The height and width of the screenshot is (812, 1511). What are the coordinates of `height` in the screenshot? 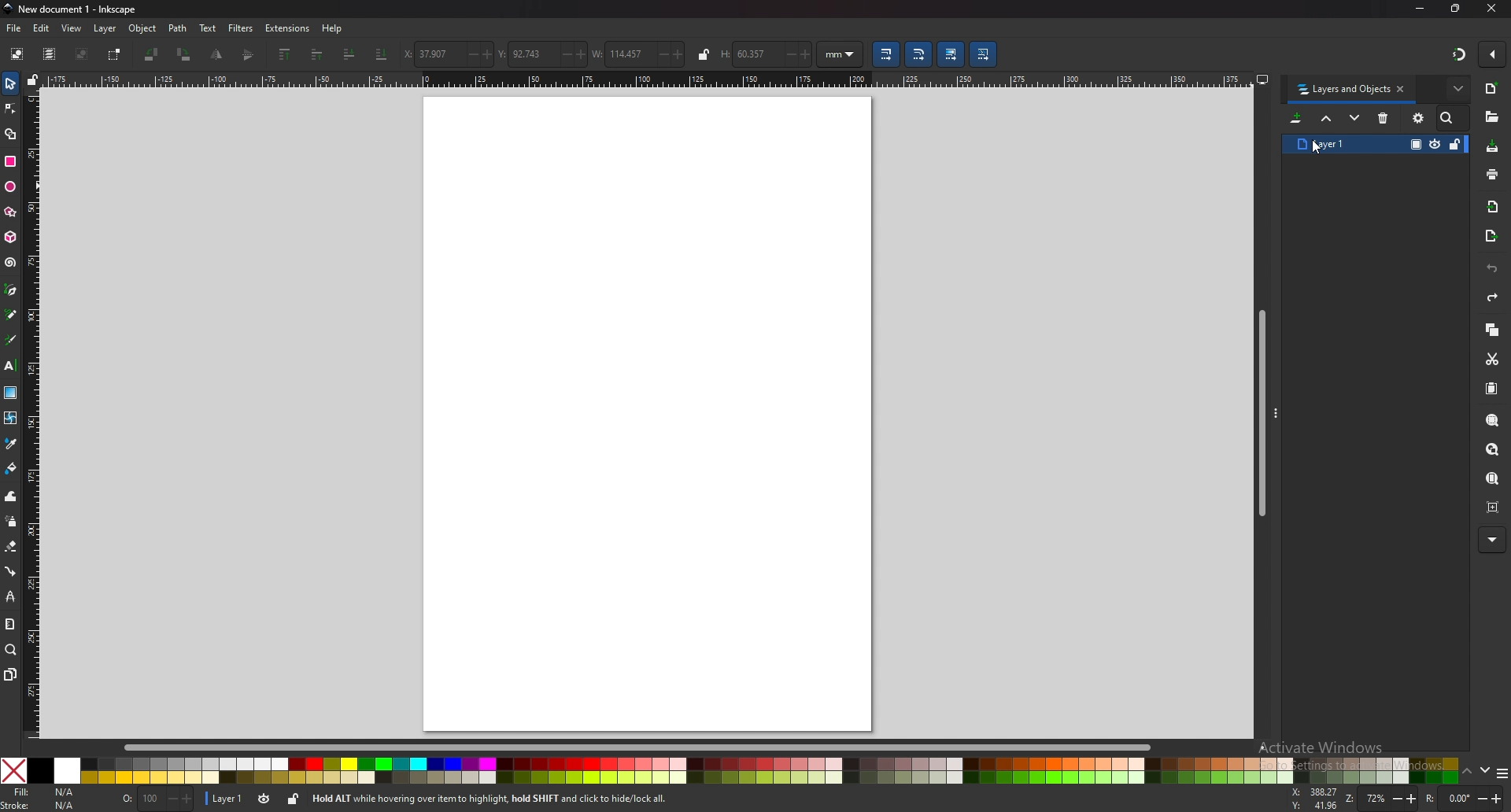 It's located at (744, 54).